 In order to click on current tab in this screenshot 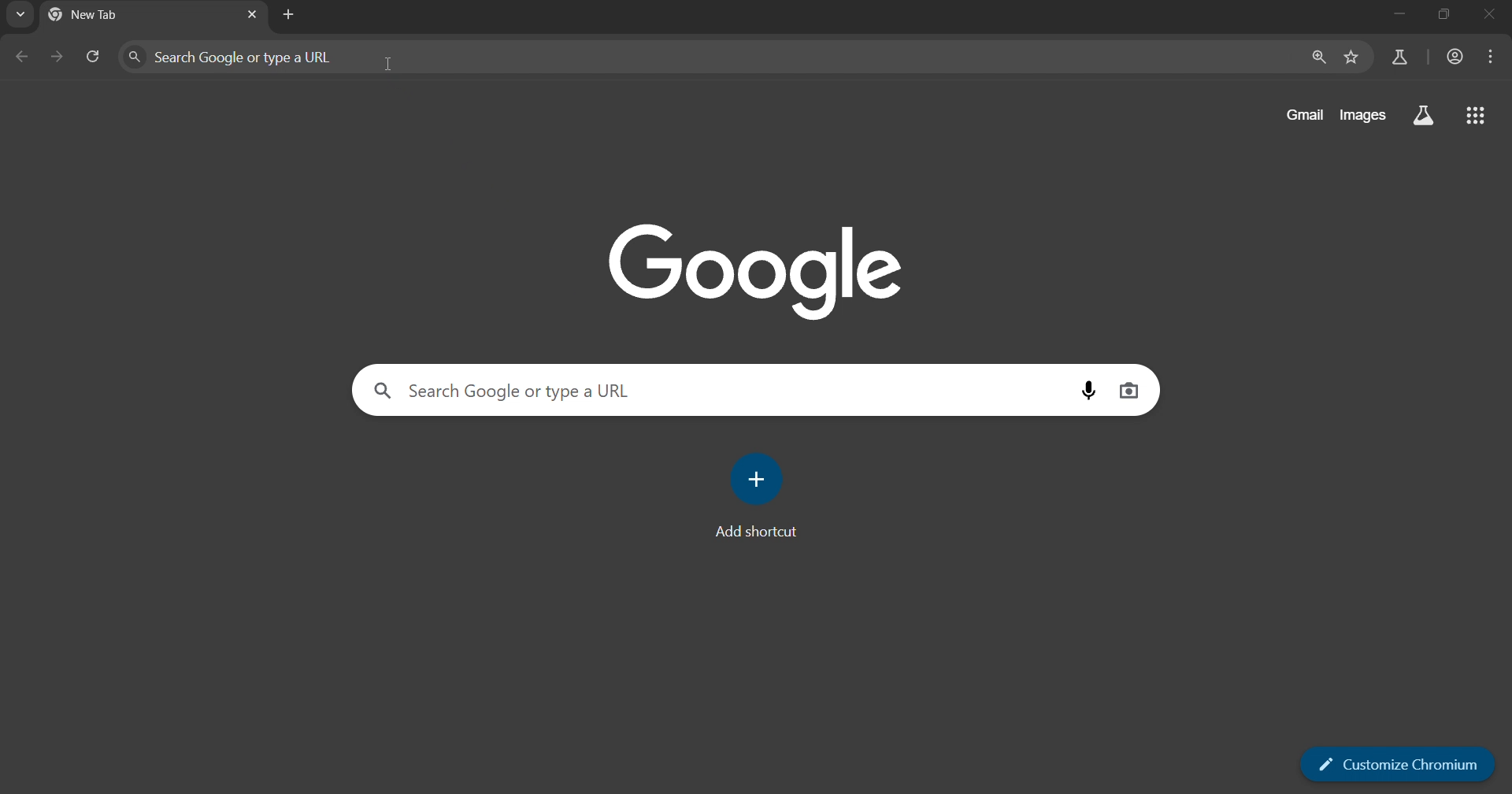, I will do `click(116, 15)`.